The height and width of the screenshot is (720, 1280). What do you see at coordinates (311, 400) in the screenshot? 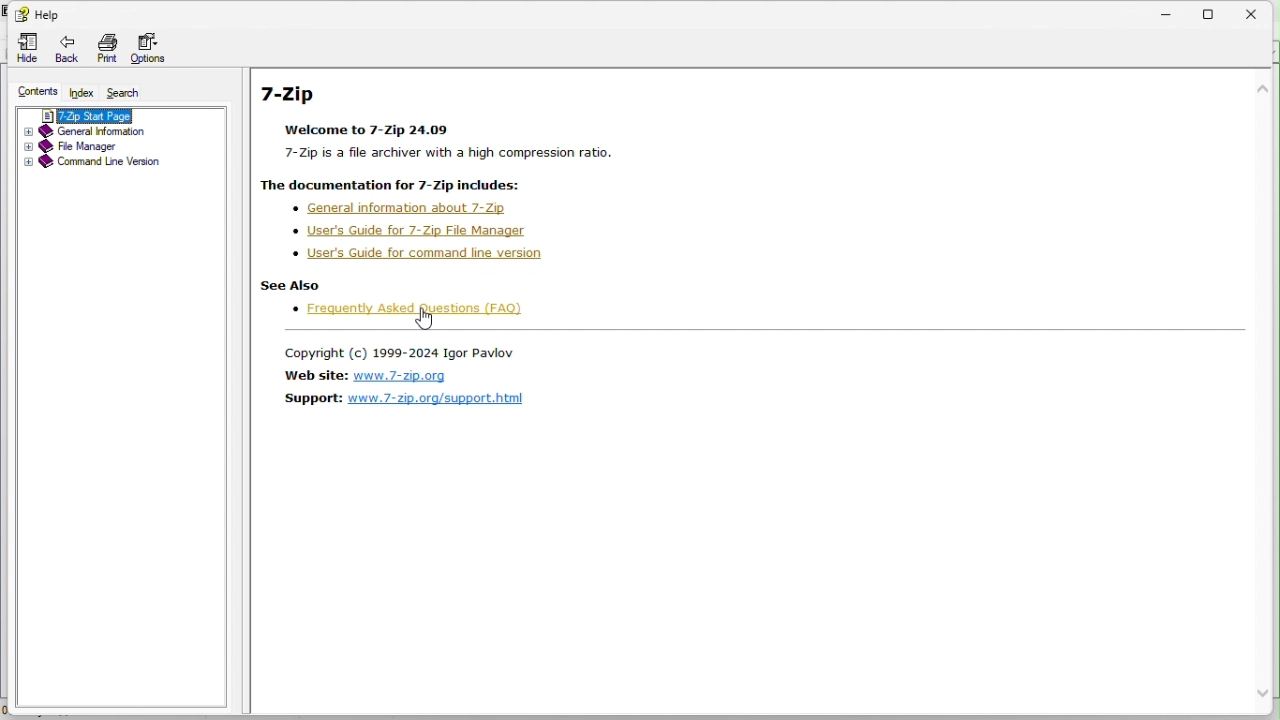
I see `support` at bounding box center [311, 400].